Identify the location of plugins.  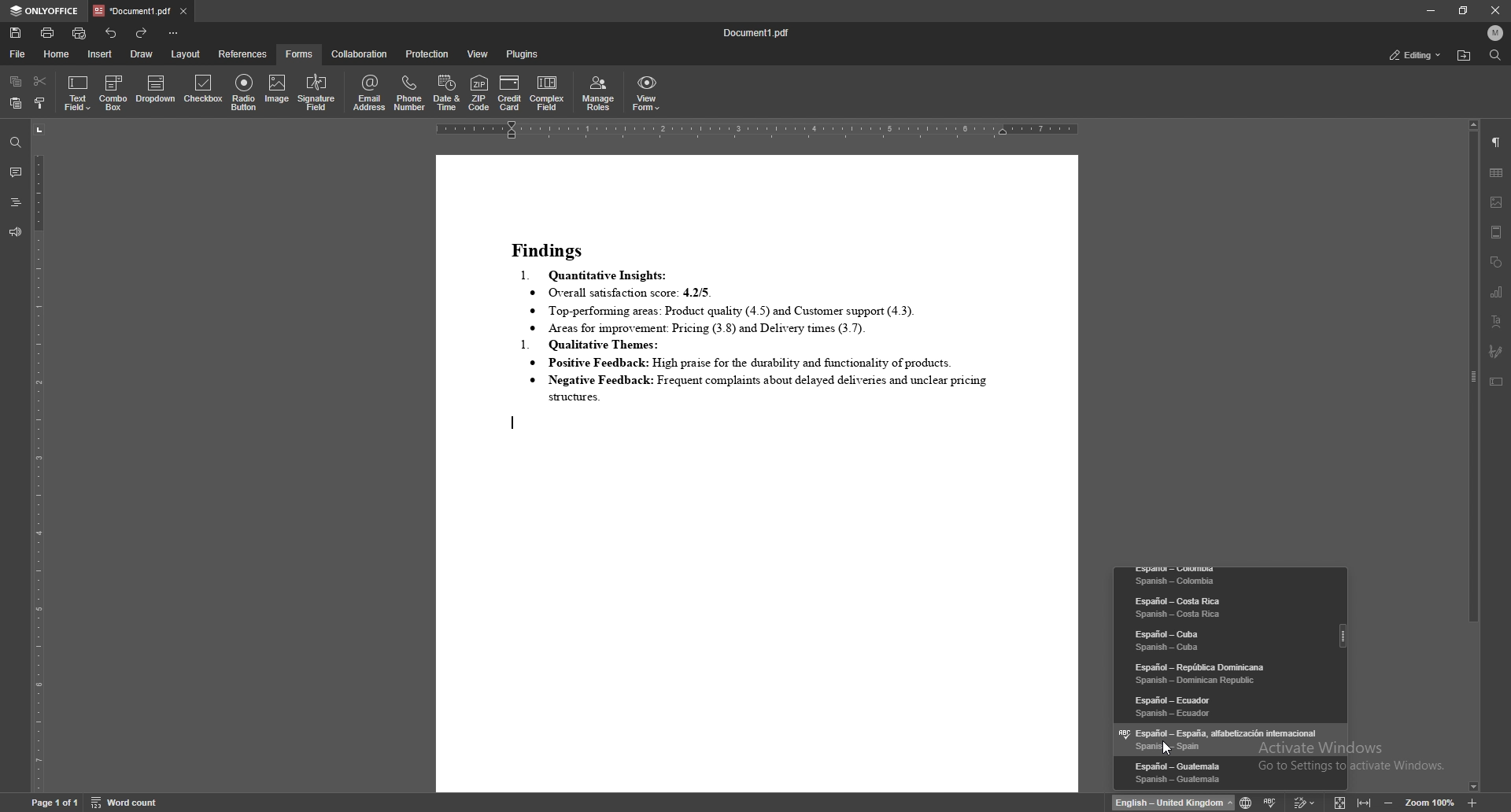
(523, 54).